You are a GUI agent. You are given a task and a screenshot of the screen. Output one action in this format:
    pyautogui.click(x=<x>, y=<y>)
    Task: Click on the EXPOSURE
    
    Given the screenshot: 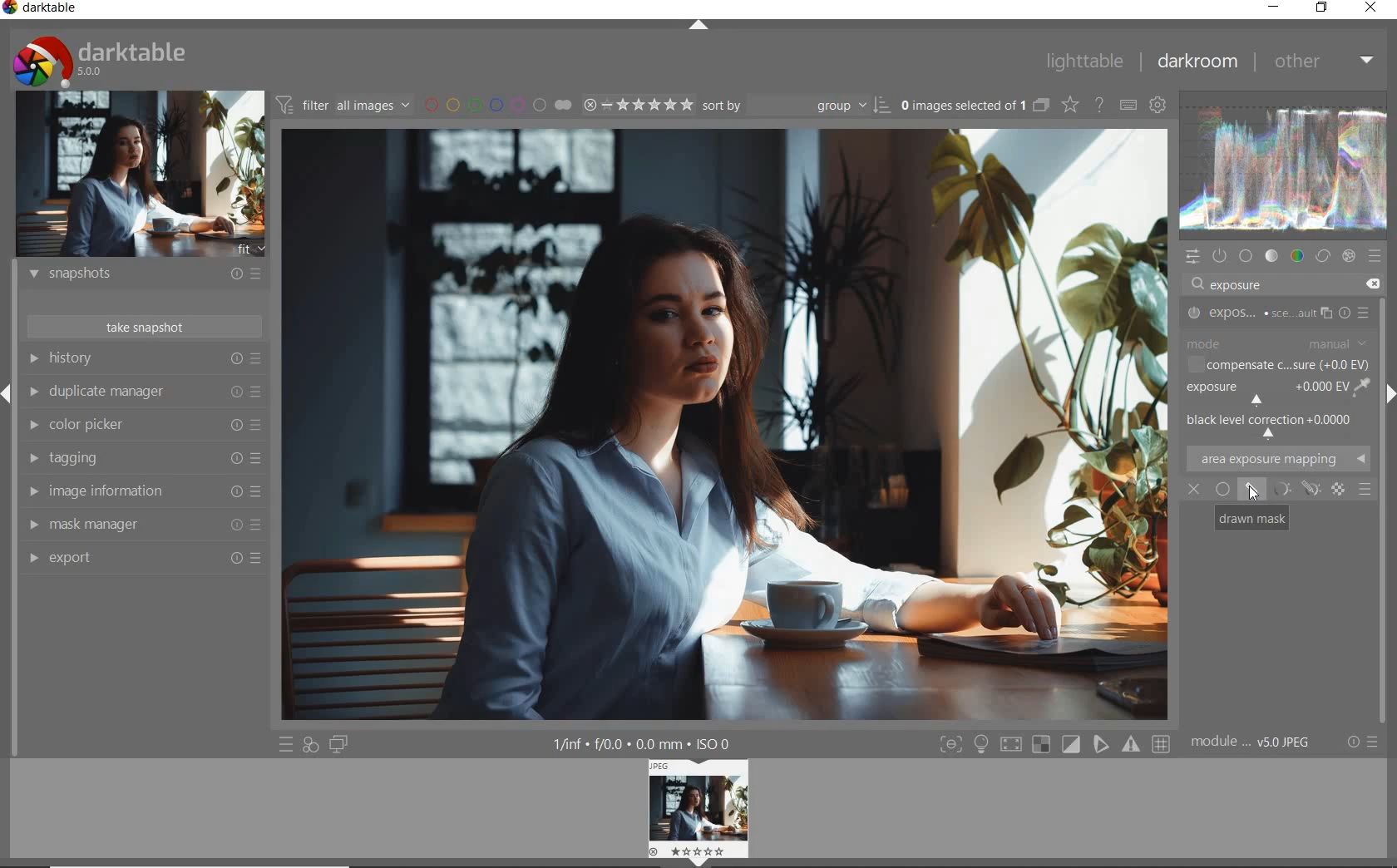 What is the action you would take?
    pyautogui.click(x=1266, y=392)
    